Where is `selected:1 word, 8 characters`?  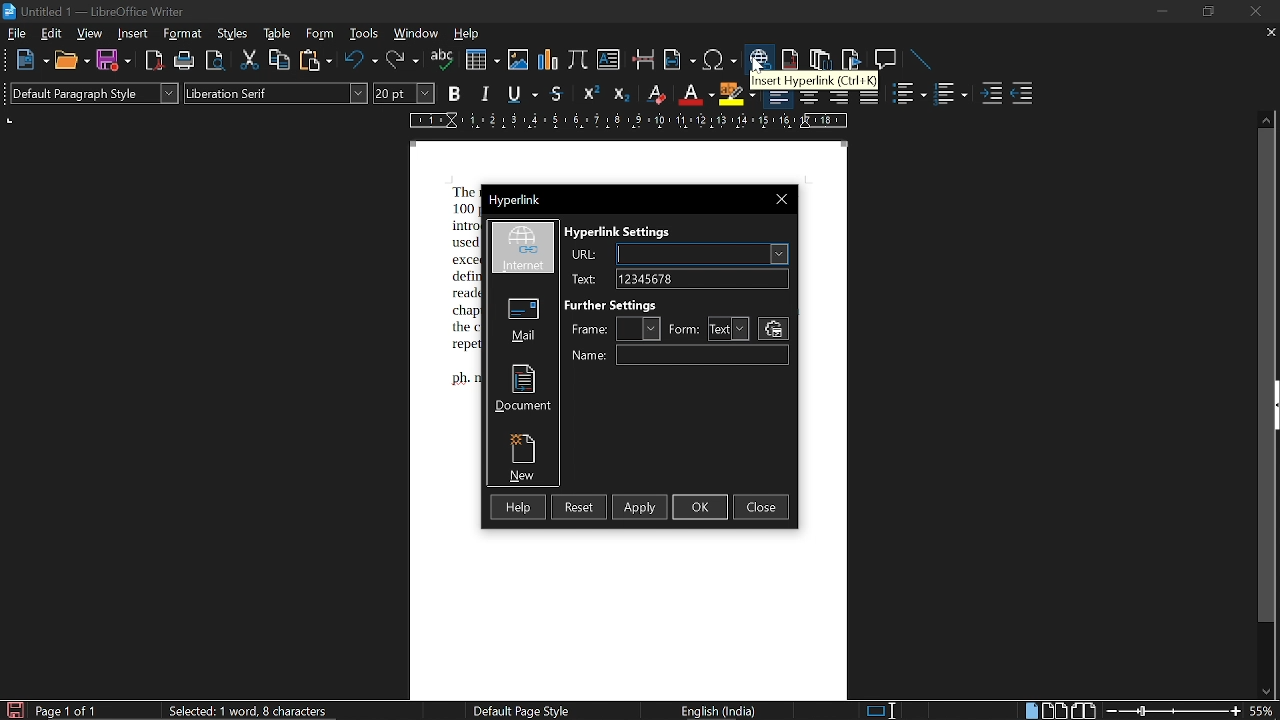 selected:1 word, 8 characters is located at coordinates (248, 711).